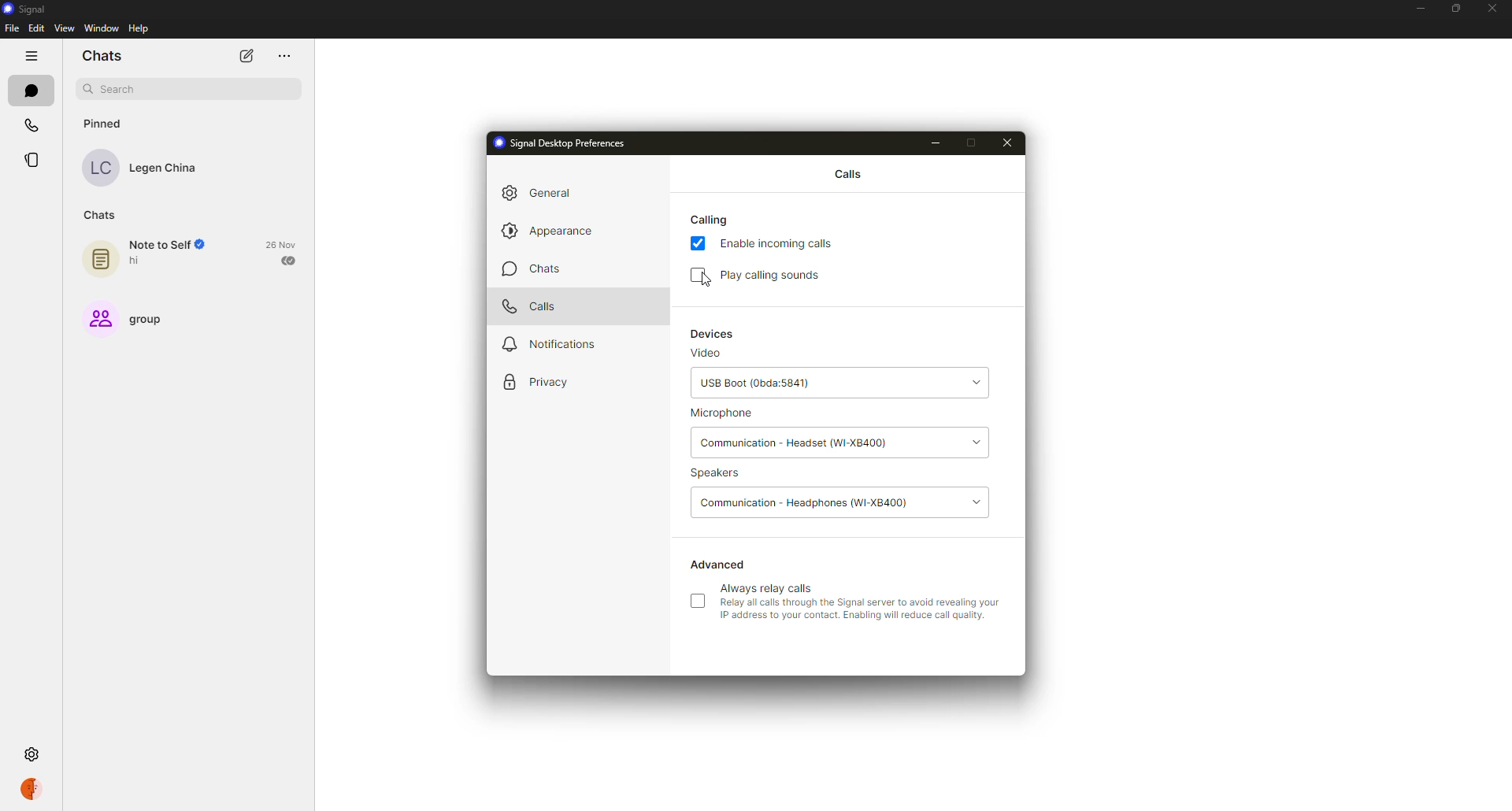 The image size is (1512, 811). I want to click on microphone, so click(737, 412).